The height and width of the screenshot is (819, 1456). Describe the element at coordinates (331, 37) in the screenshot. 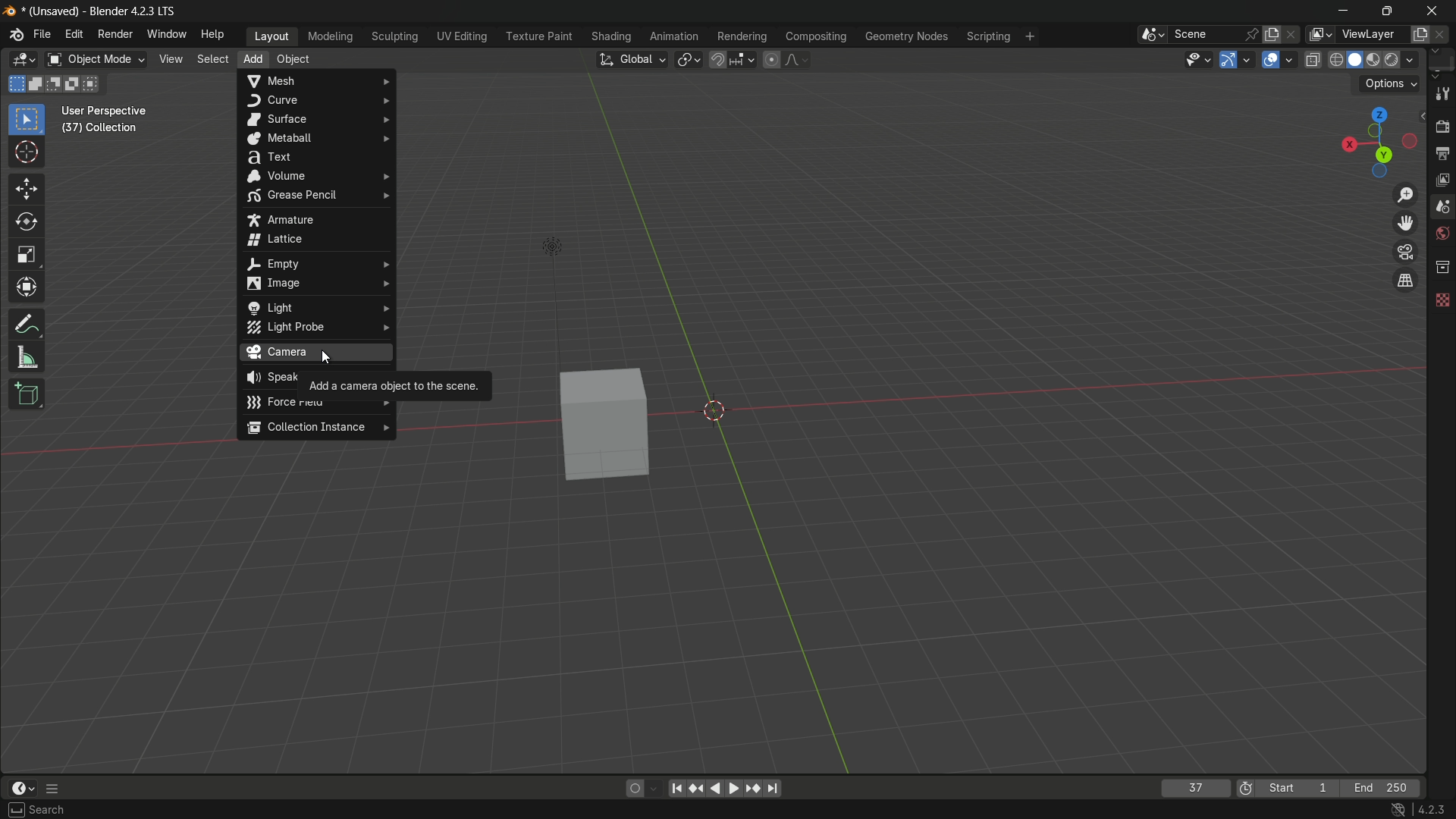

I see `modeling menu` at that location.